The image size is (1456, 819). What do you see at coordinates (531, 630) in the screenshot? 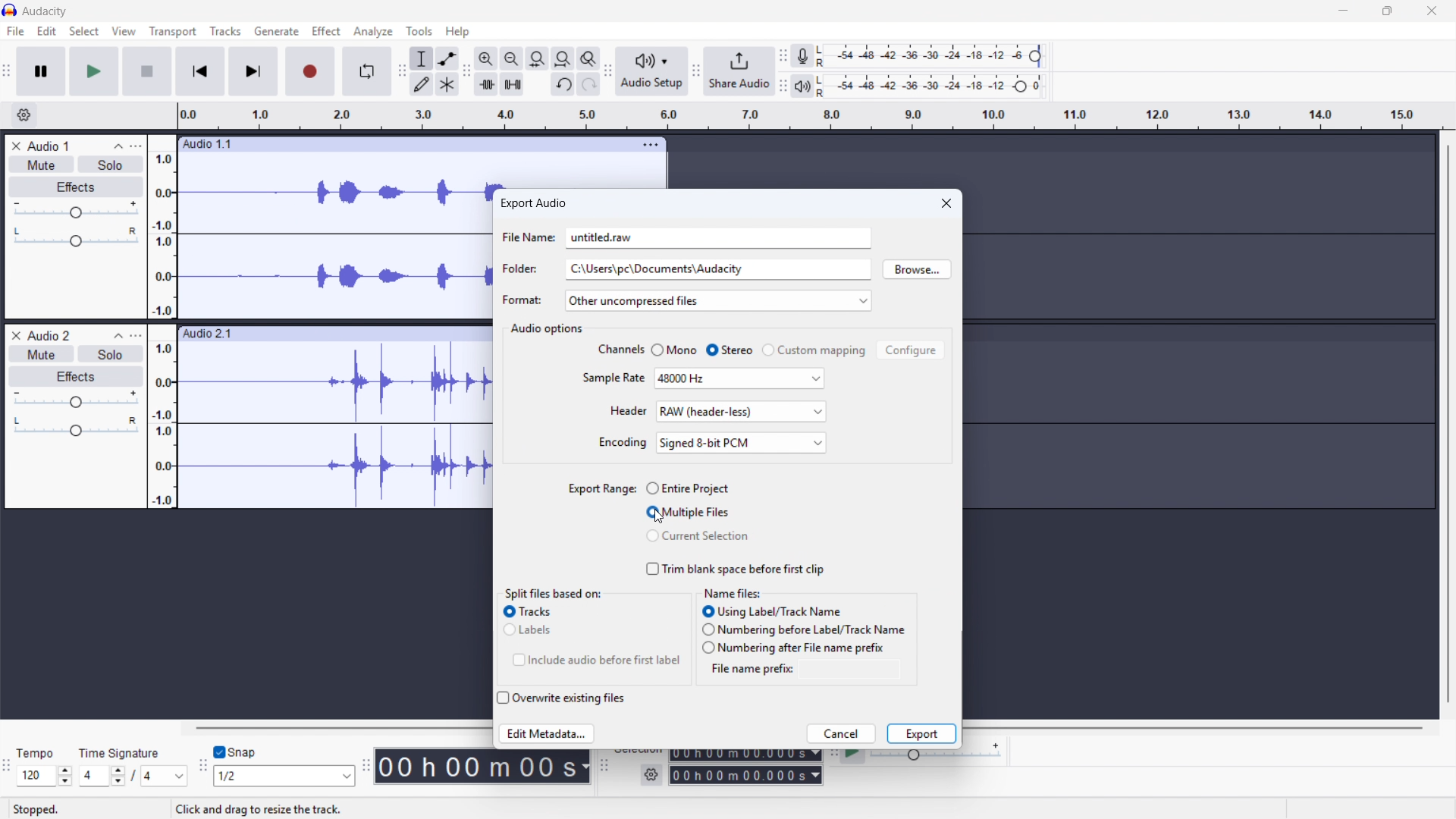
I see `labels` at bounding box center [531, 630].